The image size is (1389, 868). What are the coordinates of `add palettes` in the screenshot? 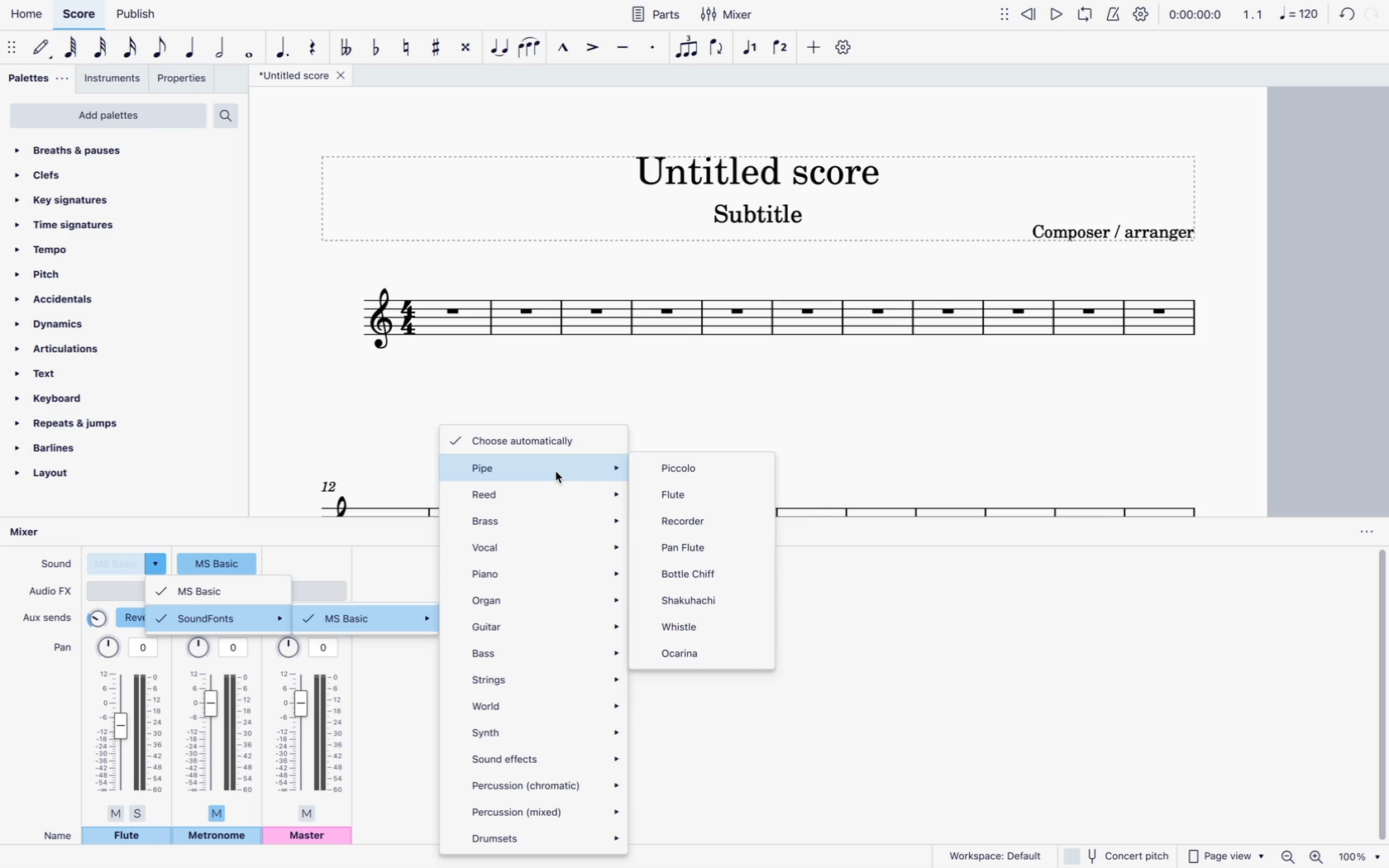 It's located at (107, 117).